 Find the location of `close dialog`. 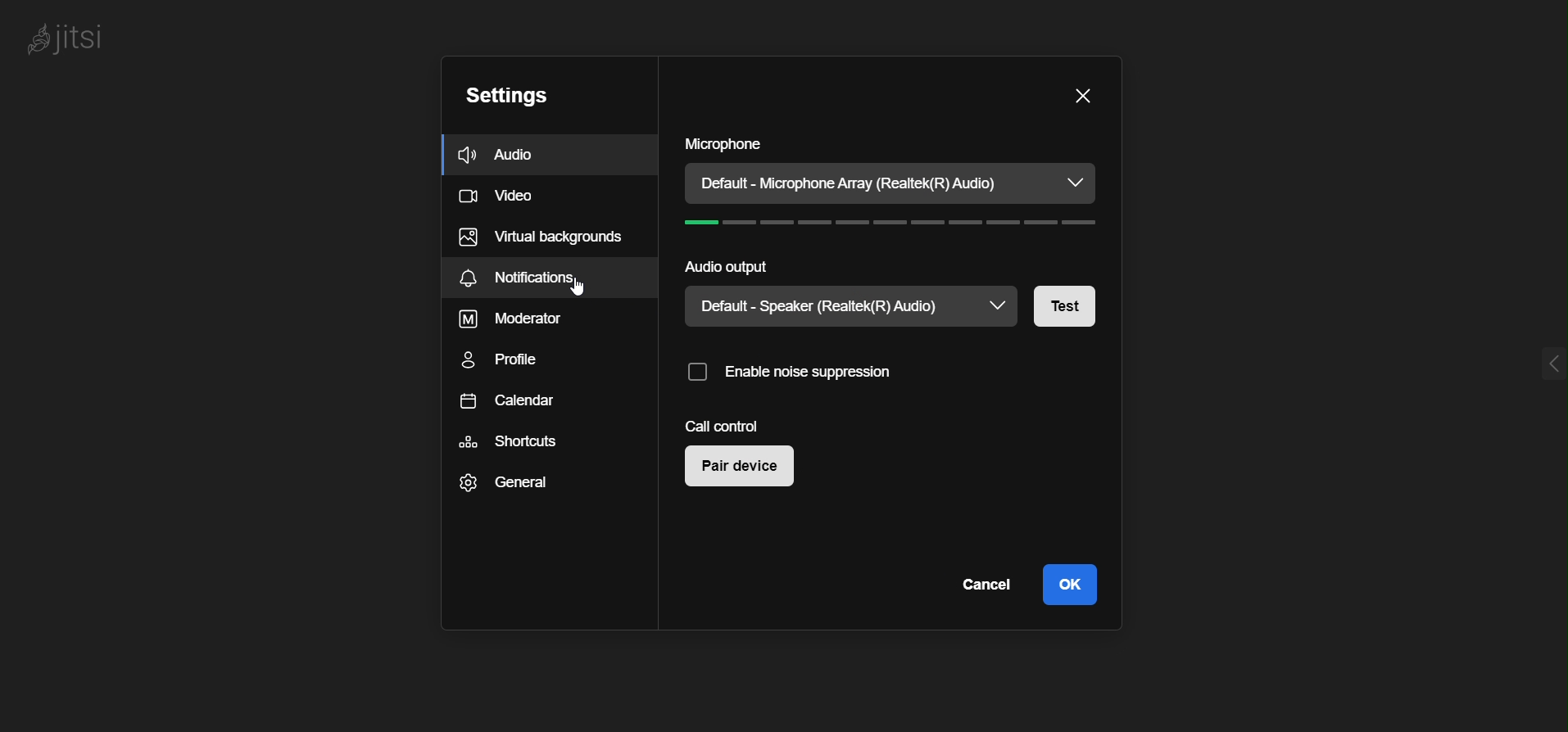

close dialog is located at coordinates (1082, 98).